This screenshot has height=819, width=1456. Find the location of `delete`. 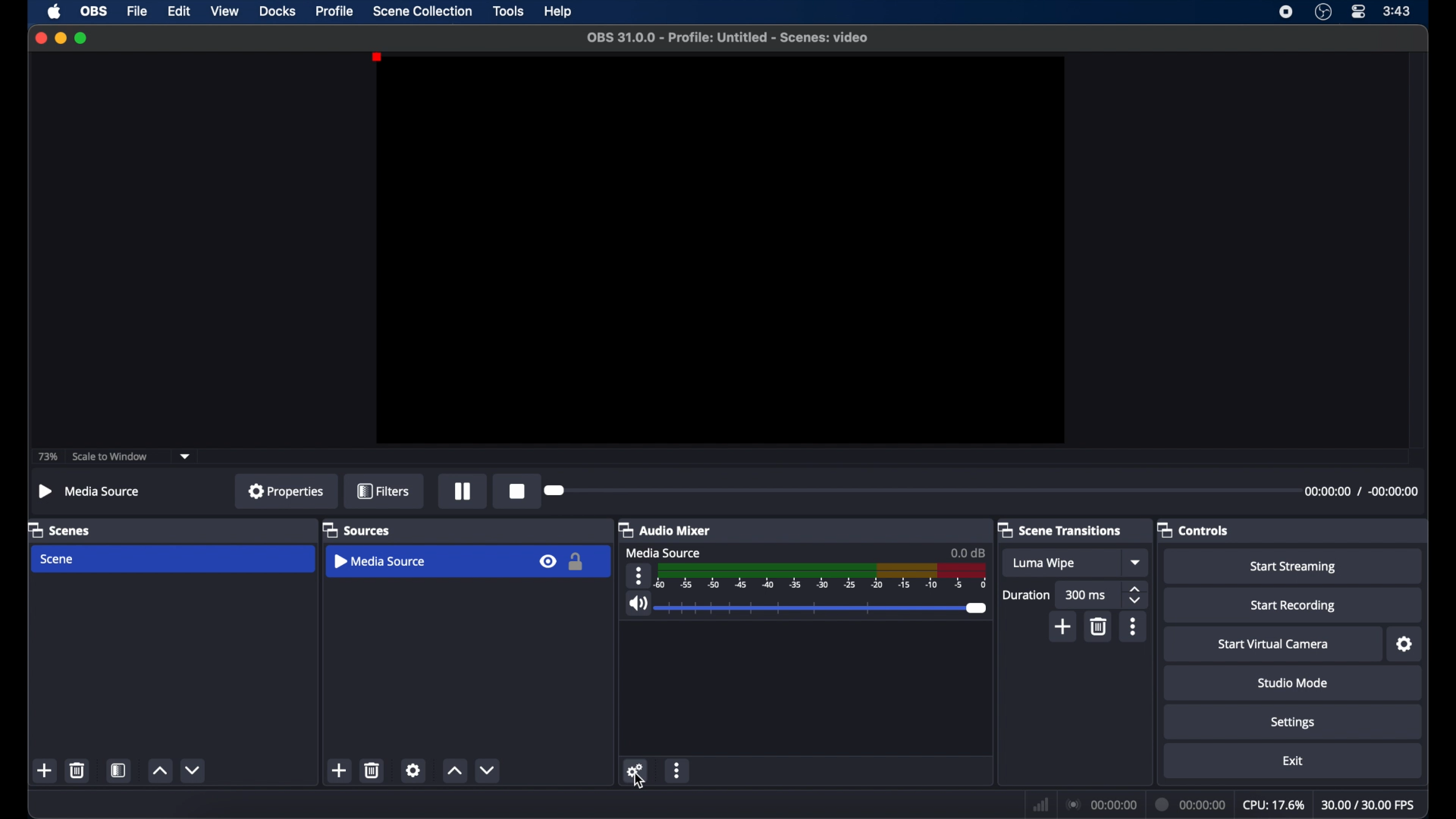

delete is located at coordinates (77, 770).